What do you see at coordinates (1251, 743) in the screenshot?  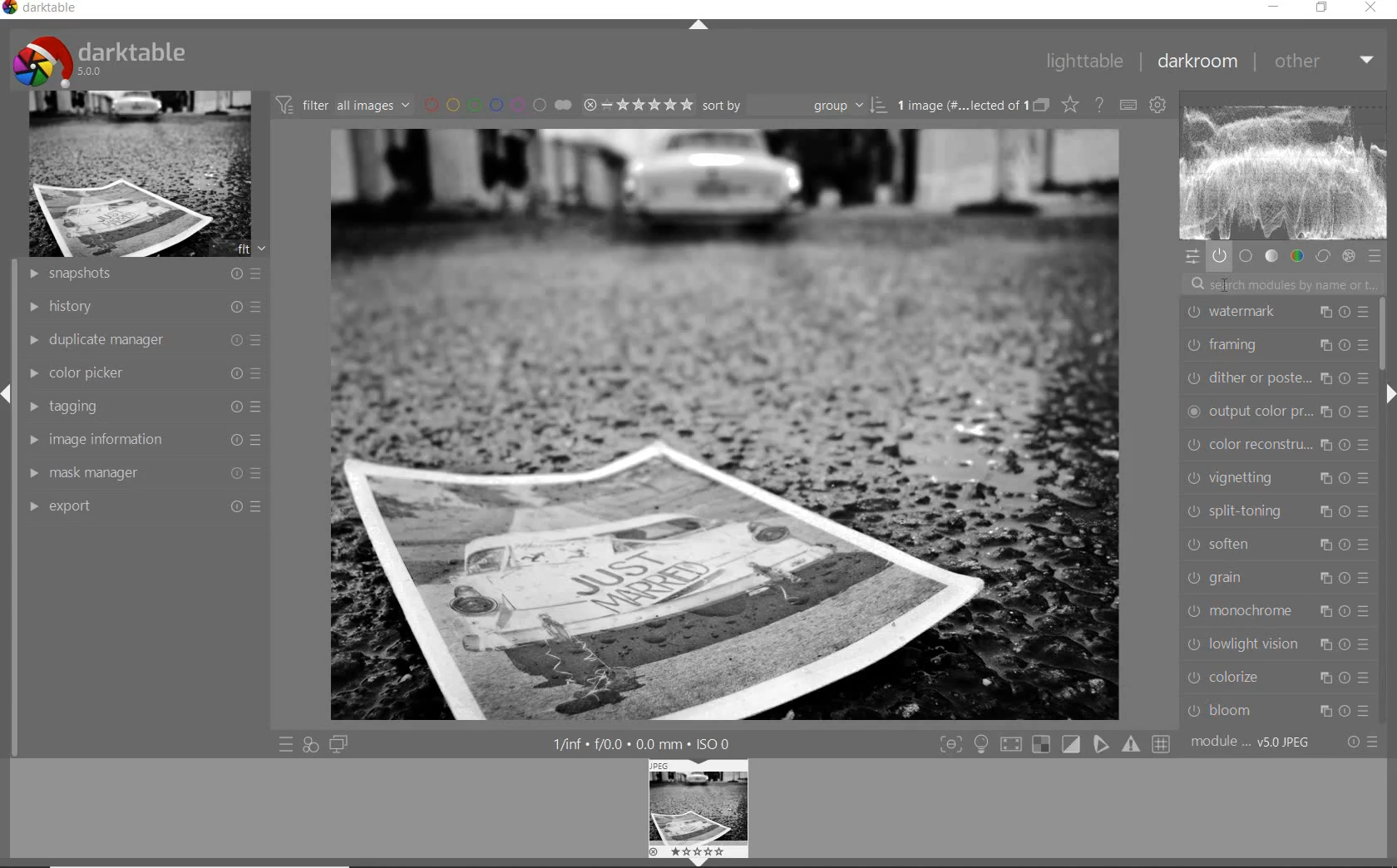 I see `model order` at bounding box center [1251, 743].